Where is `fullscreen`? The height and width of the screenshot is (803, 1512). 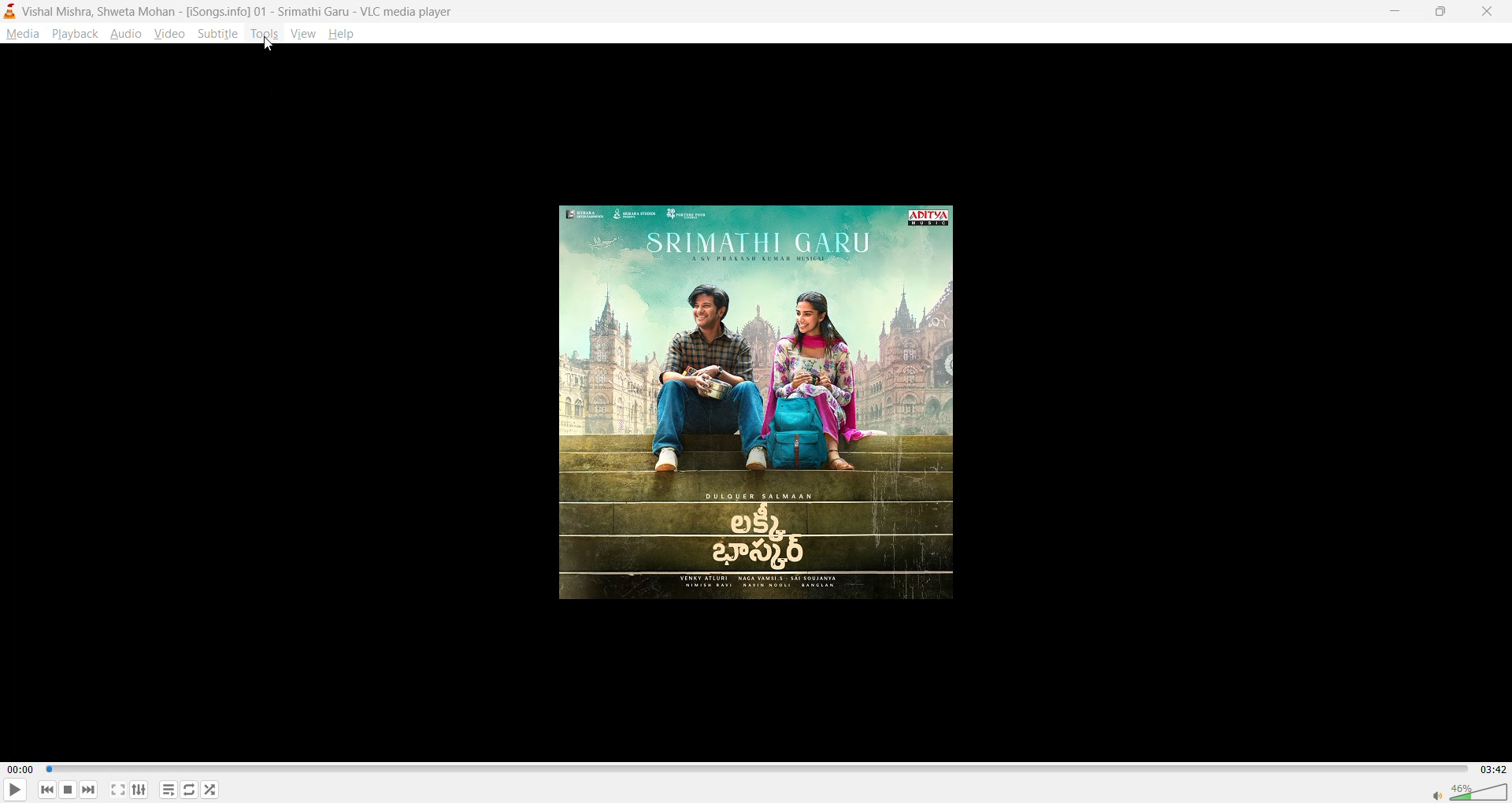
fullscreen is located at coordinates (118, 790).